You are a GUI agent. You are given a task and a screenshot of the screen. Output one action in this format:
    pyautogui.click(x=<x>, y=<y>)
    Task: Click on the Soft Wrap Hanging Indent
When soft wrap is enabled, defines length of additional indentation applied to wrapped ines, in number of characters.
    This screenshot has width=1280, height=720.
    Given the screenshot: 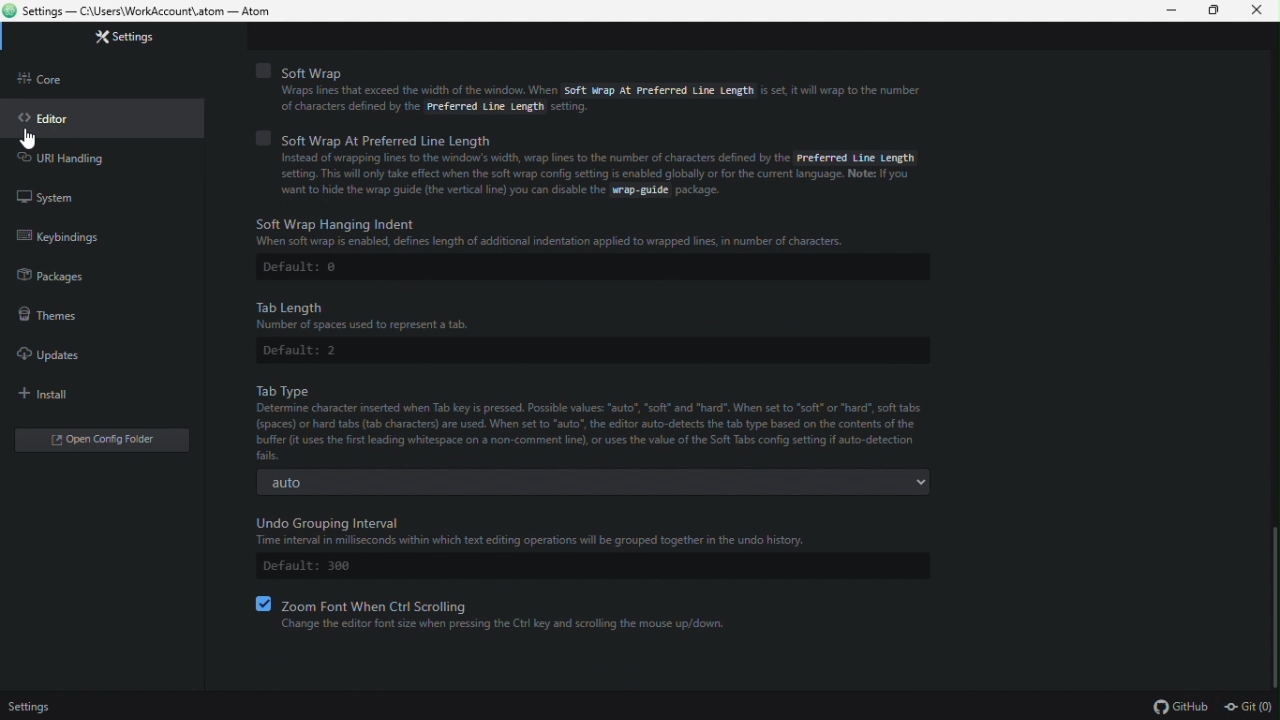 What is the action you would take?
    pyautogui.click(x=587, y=233)
    